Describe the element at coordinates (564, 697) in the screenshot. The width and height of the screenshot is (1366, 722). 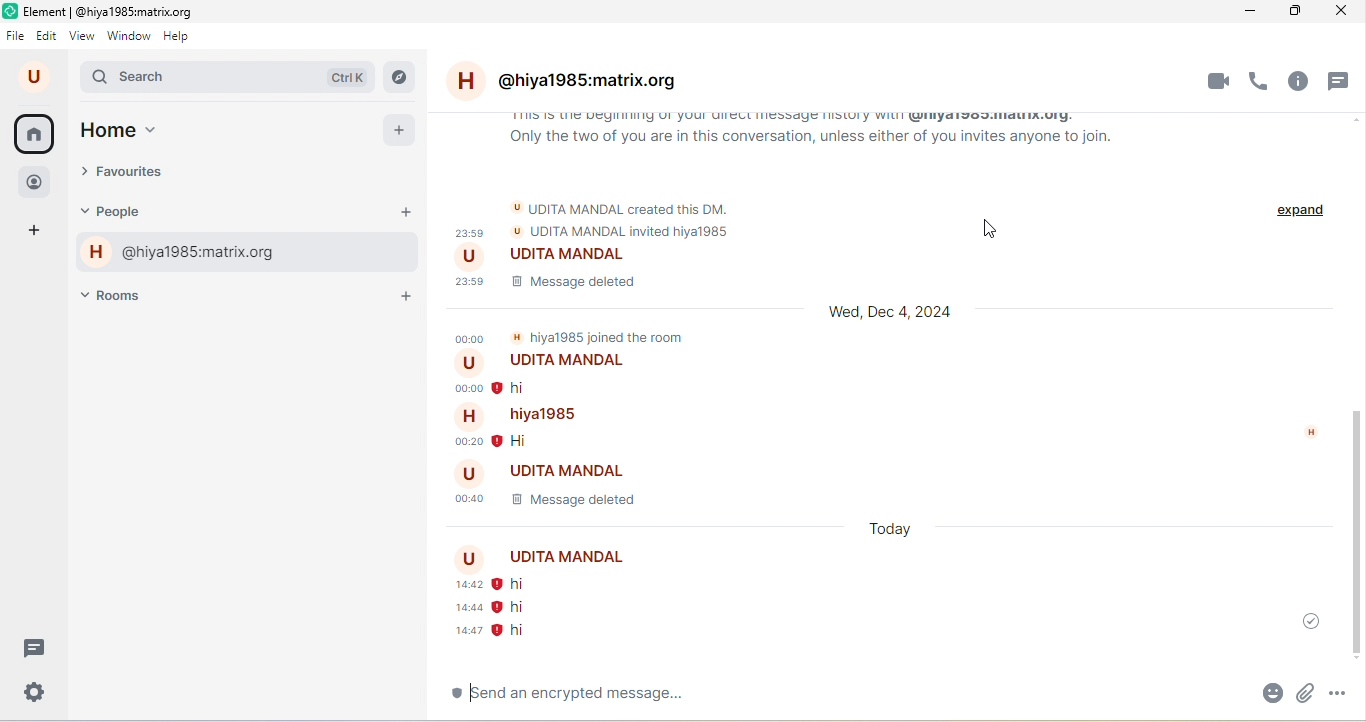
I see `hi` at that location.